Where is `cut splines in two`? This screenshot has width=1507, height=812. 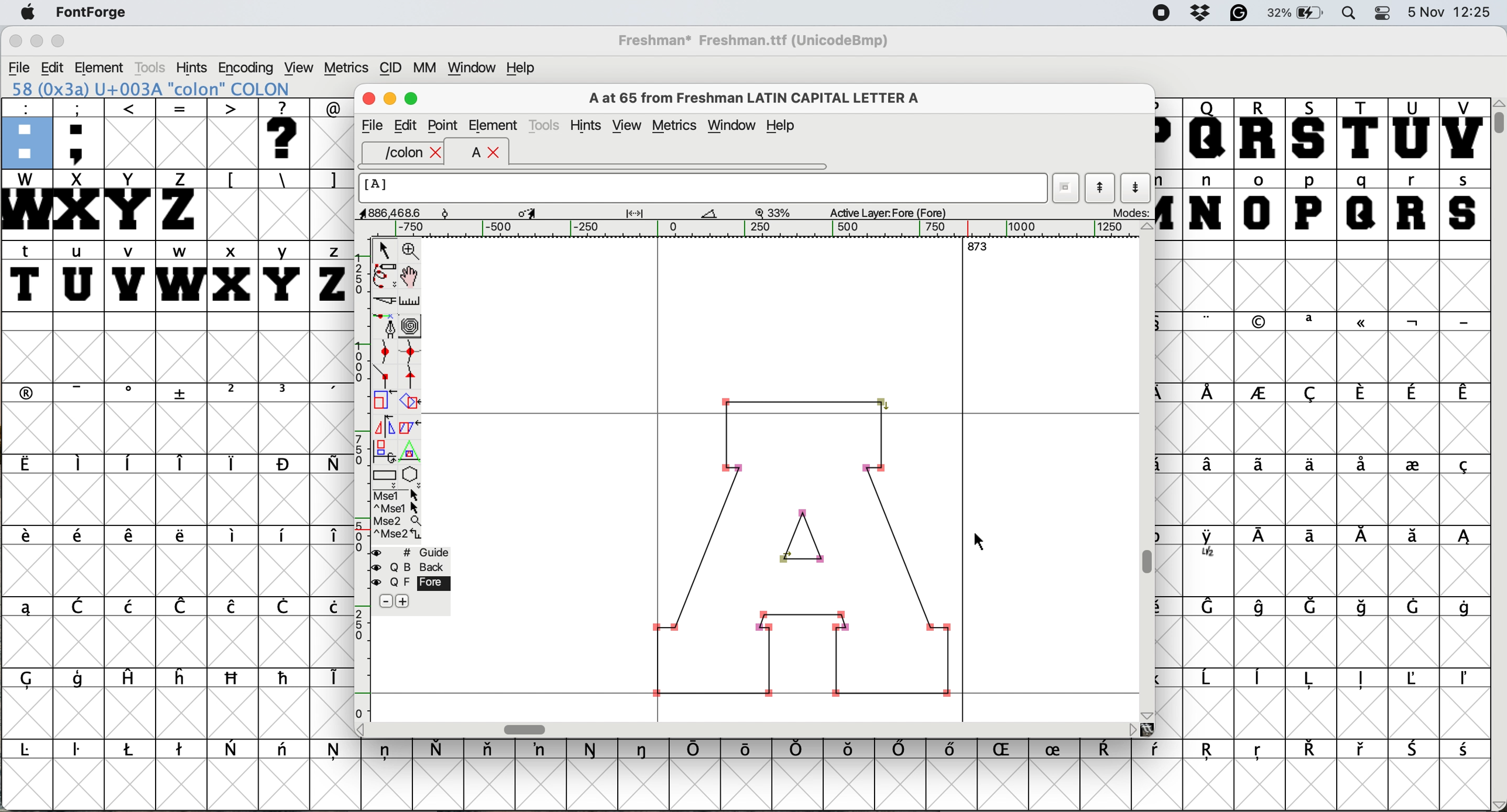
cut splines in two is located at coordinates (383, 300).